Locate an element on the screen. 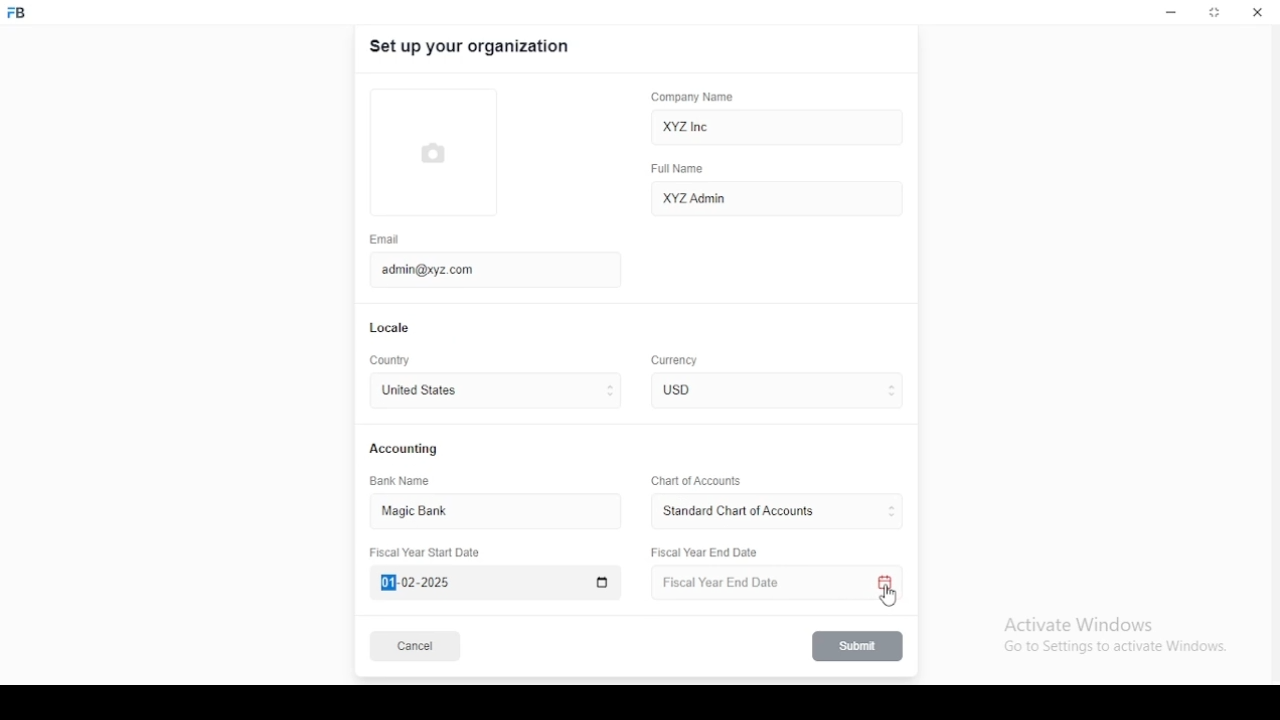 This screenshot has height=720, width=1280. united states is located at coordinates (418, 392).